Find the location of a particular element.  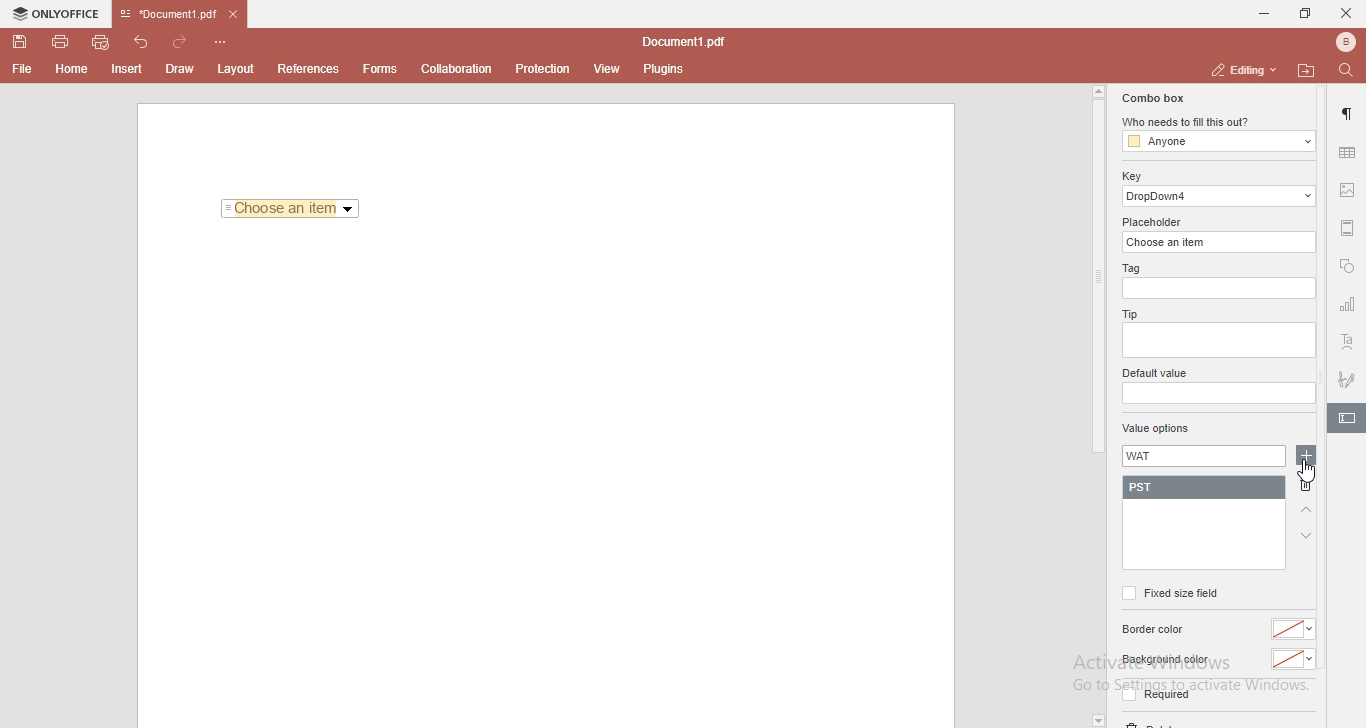

undo is located at coordinates (144, 40).